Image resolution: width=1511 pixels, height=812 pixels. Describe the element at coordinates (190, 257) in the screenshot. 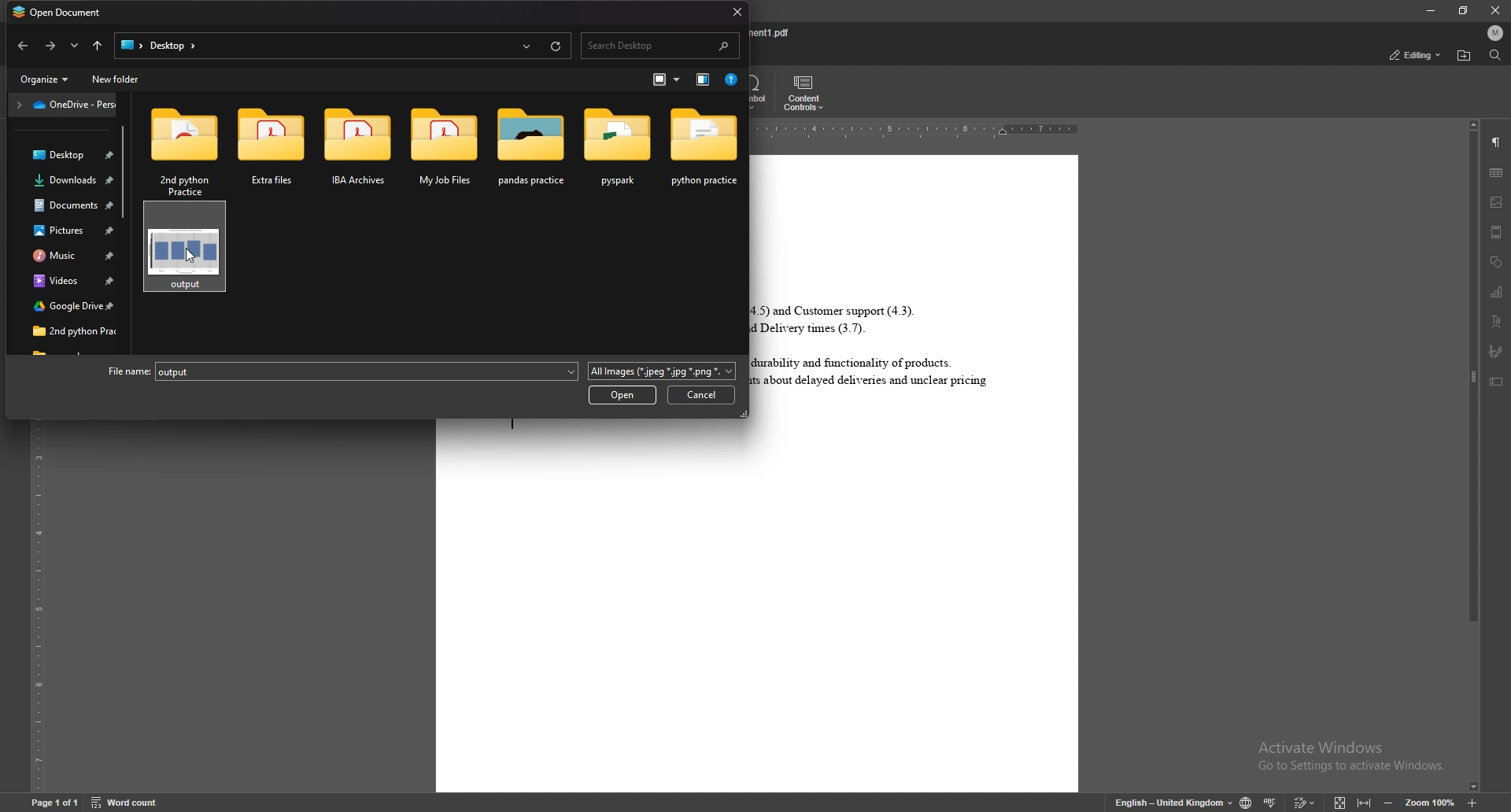

I see `cursor` at that location.